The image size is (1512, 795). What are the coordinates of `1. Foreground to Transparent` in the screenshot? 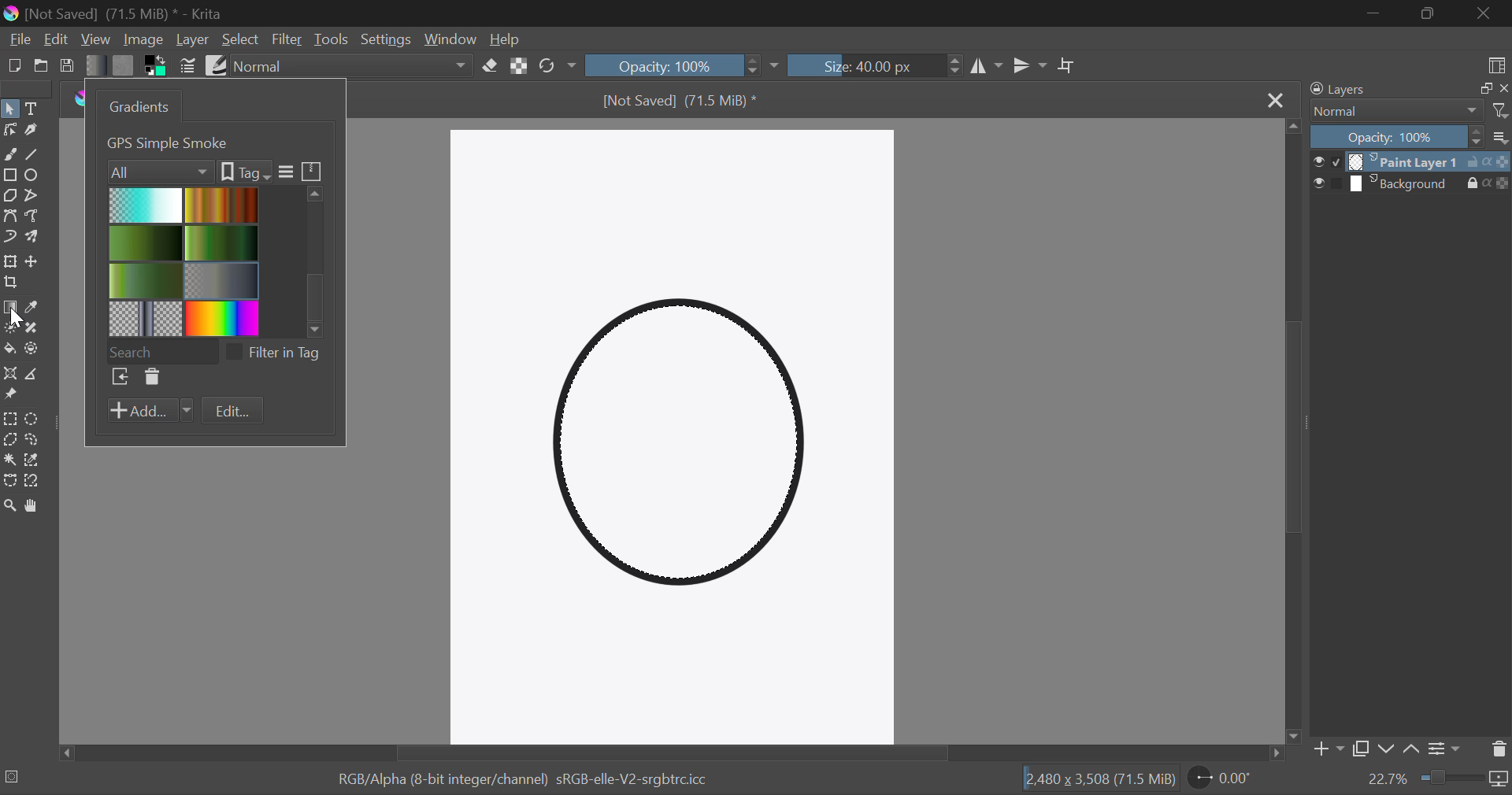 It's located at (202, 144).